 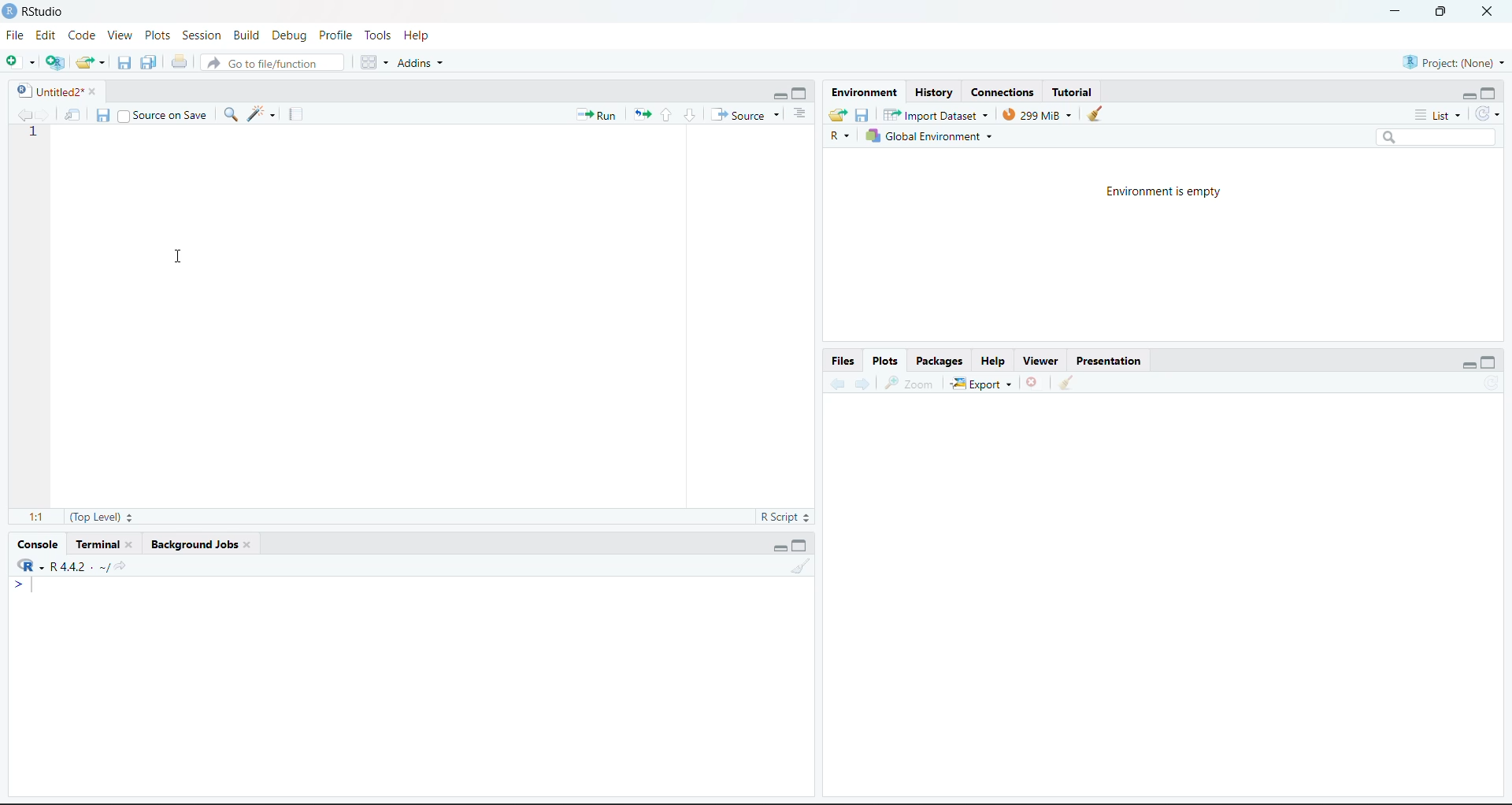 What do you see at coordinates (940, 360) in the screenshot?
I see `Packages` at bounding box center [940, 360].